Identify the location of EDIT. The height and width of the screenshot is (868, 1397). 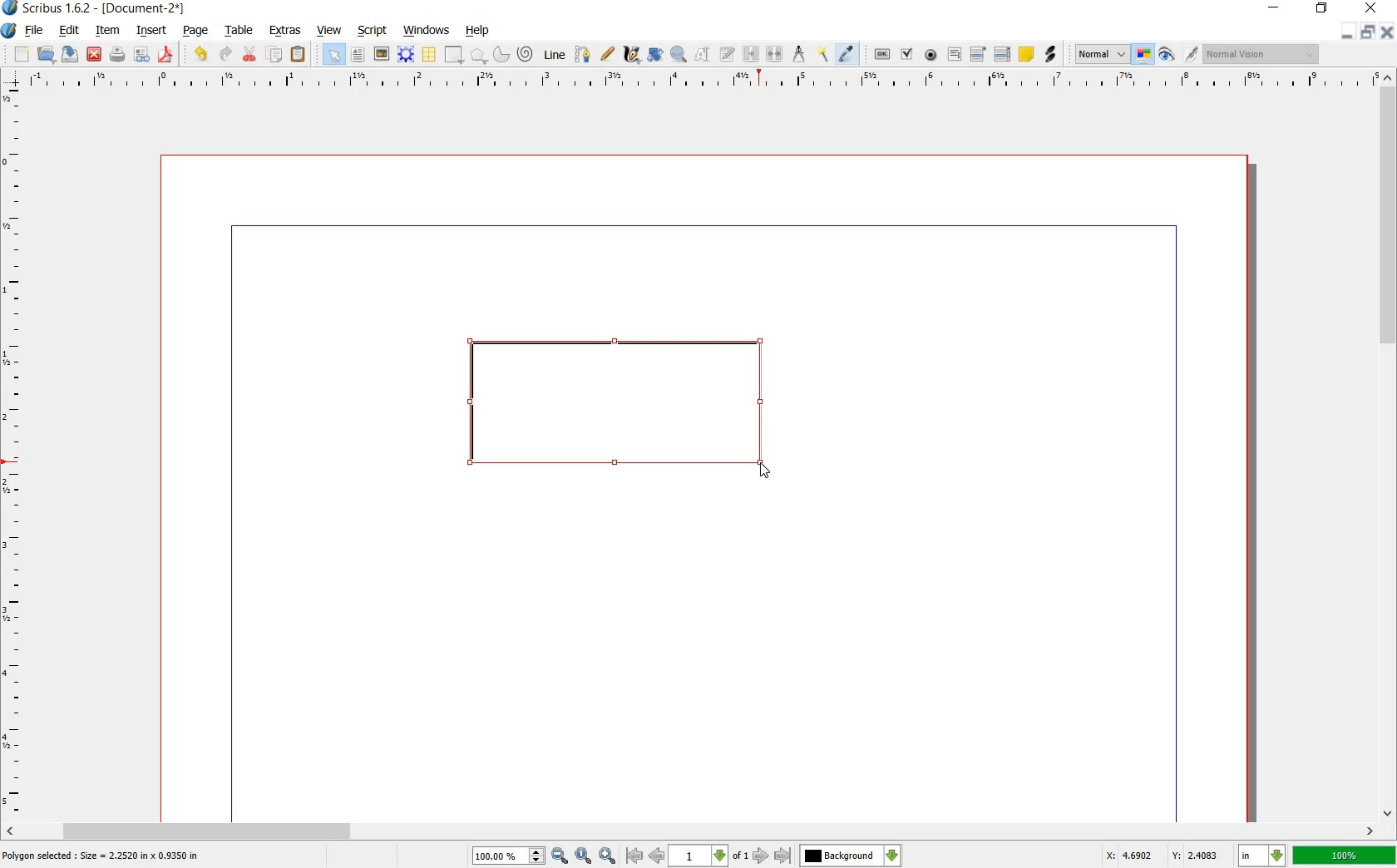
(68, 31).